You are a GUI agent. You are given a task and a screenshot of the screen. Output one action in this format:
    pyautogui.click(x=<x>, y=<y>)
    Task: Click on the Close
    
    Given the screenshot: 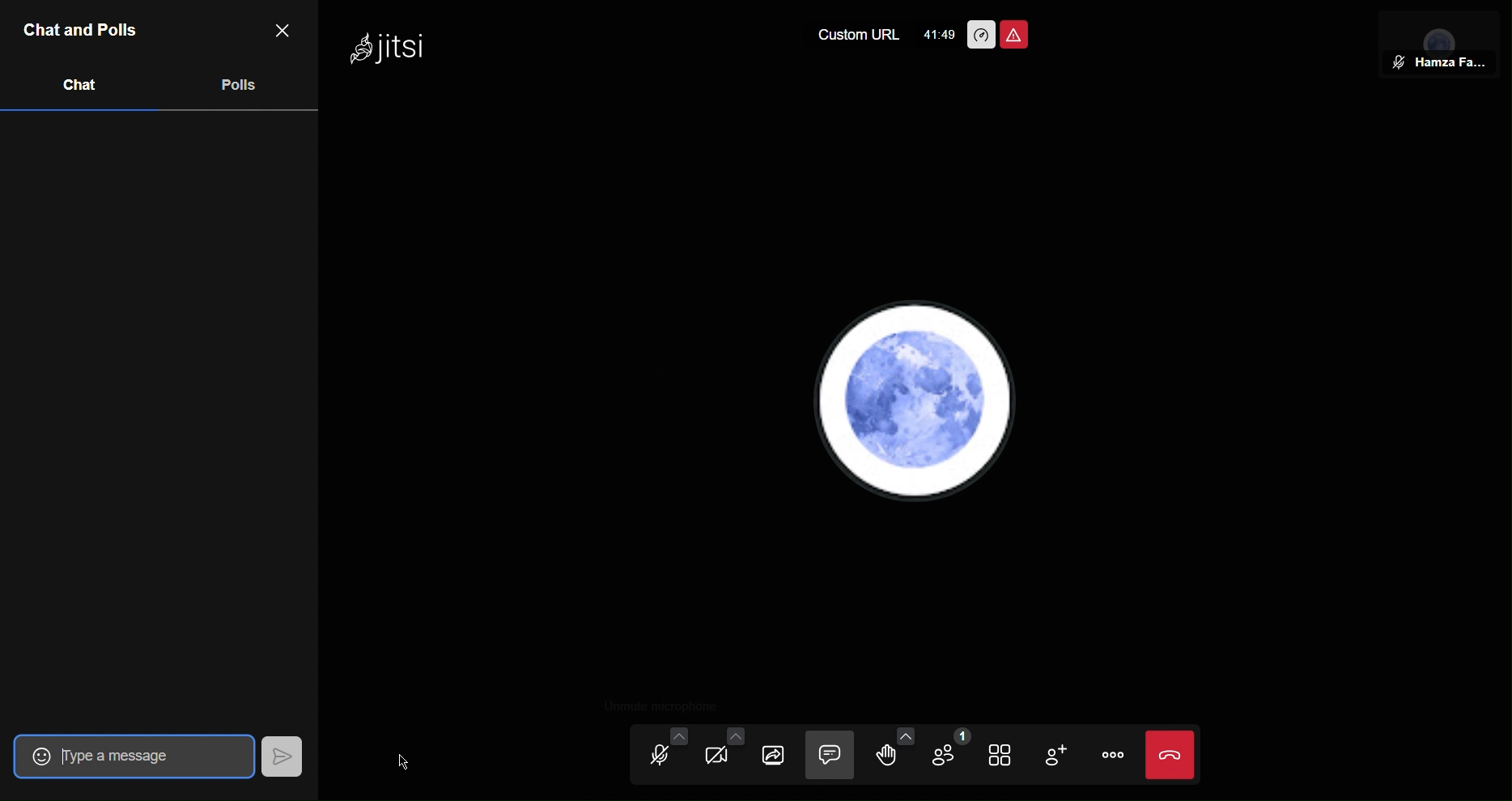 What is the action you would take?
    pyautogui.click(x=284, y=33)
    